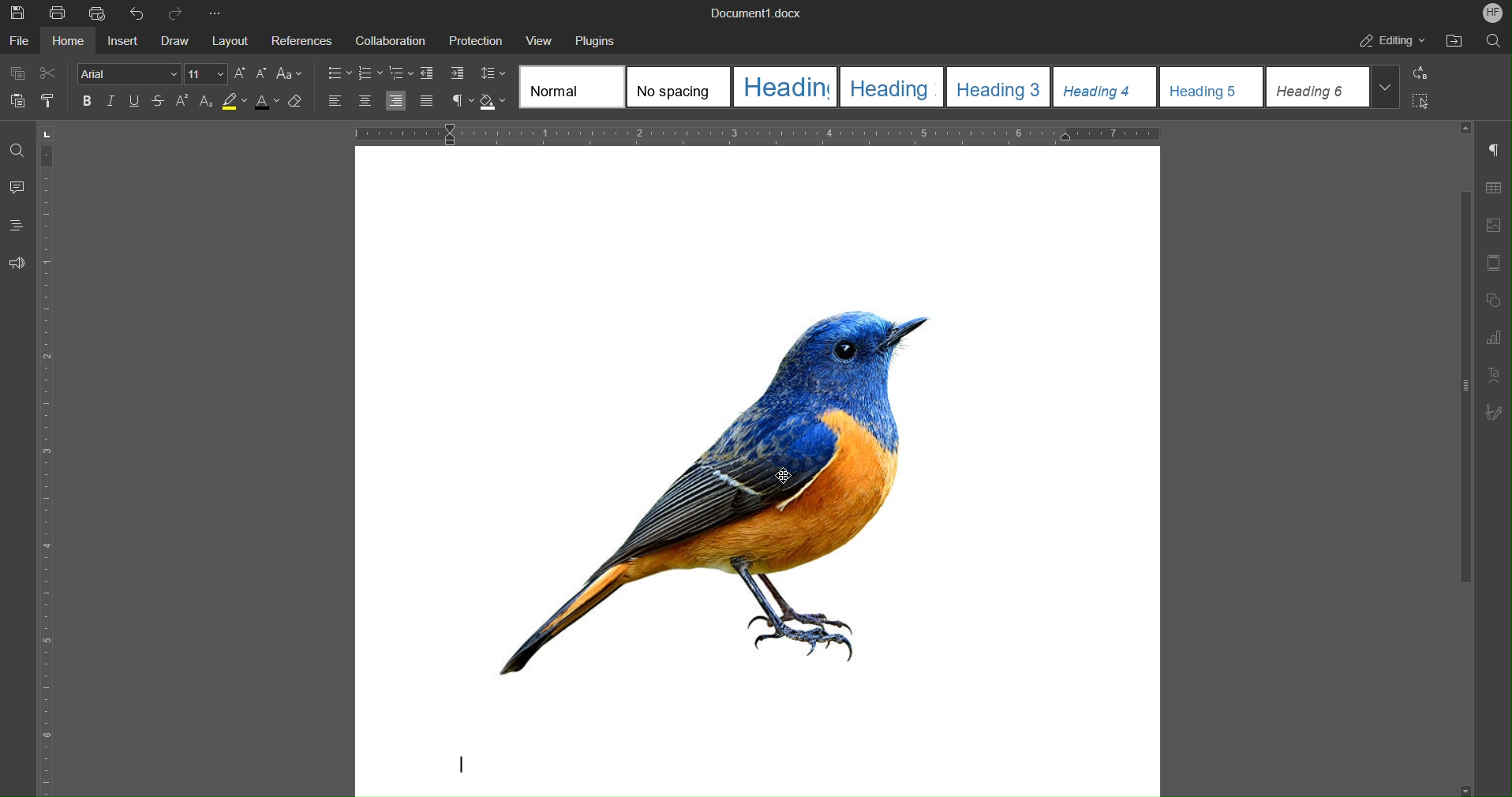 The image size is (1512, 797). I want to click on Heading, so click(784, 86).